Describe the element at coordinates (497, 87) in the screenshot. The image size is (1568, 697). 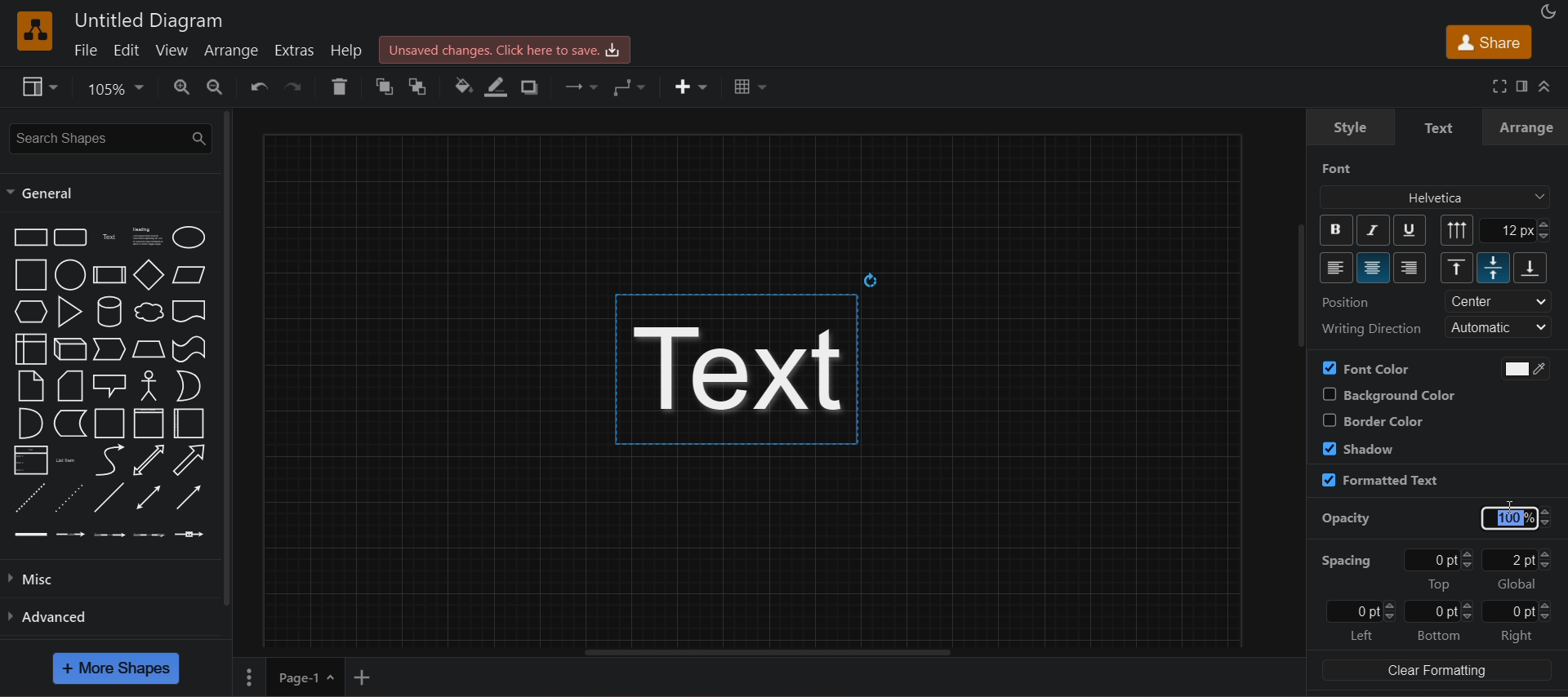
I see `line color` at that location.